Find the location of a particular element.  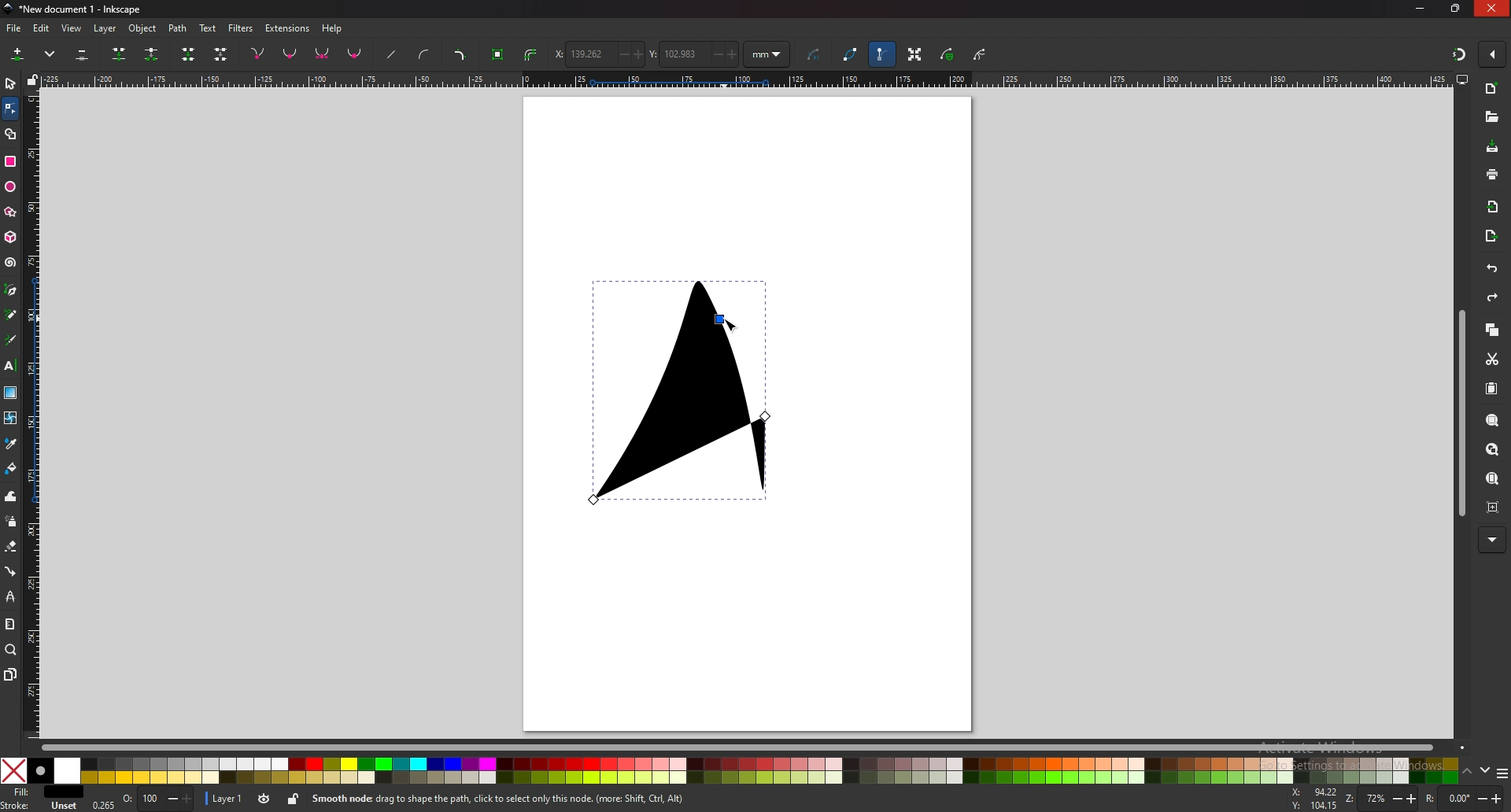

cursor coordinates is located at coordinates (1314, 799).